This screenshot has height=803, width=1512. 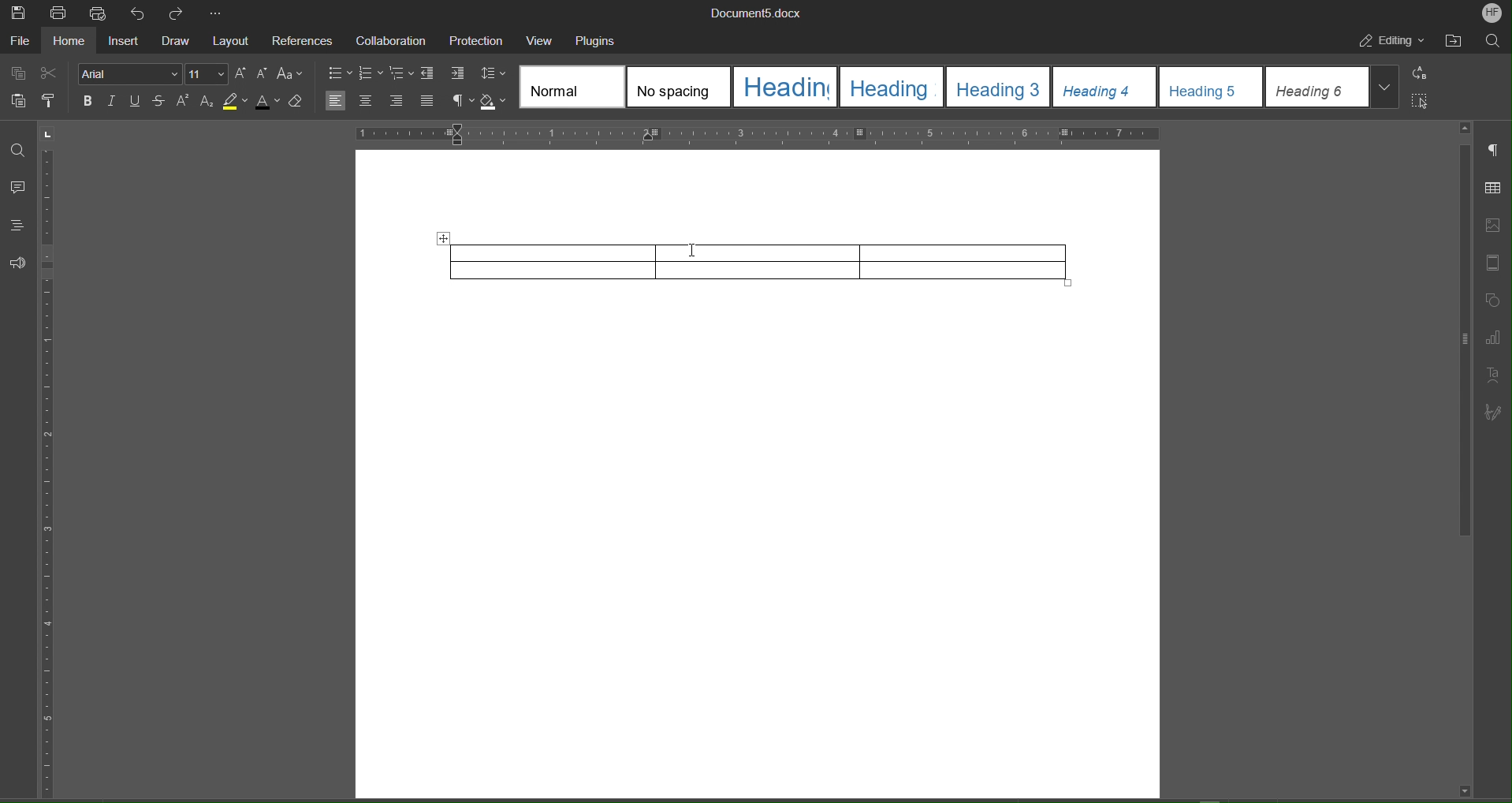 What do you see at coordinates (1424, 73) in the screenshot?
I see `Replace` at bounding box center [1424, 73].